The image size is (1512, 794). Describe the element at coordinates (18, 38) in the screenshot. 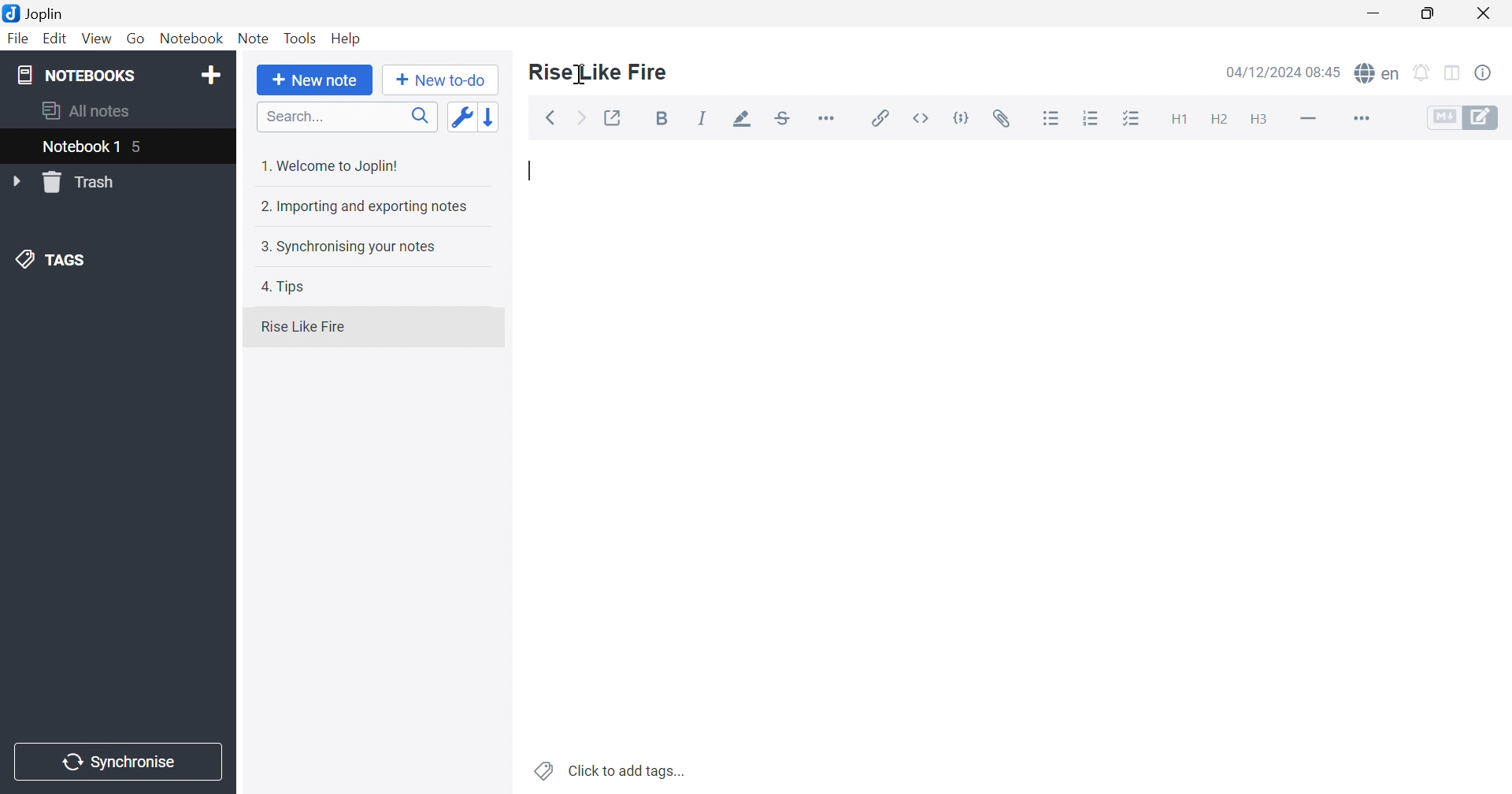

I see `File` at that location.